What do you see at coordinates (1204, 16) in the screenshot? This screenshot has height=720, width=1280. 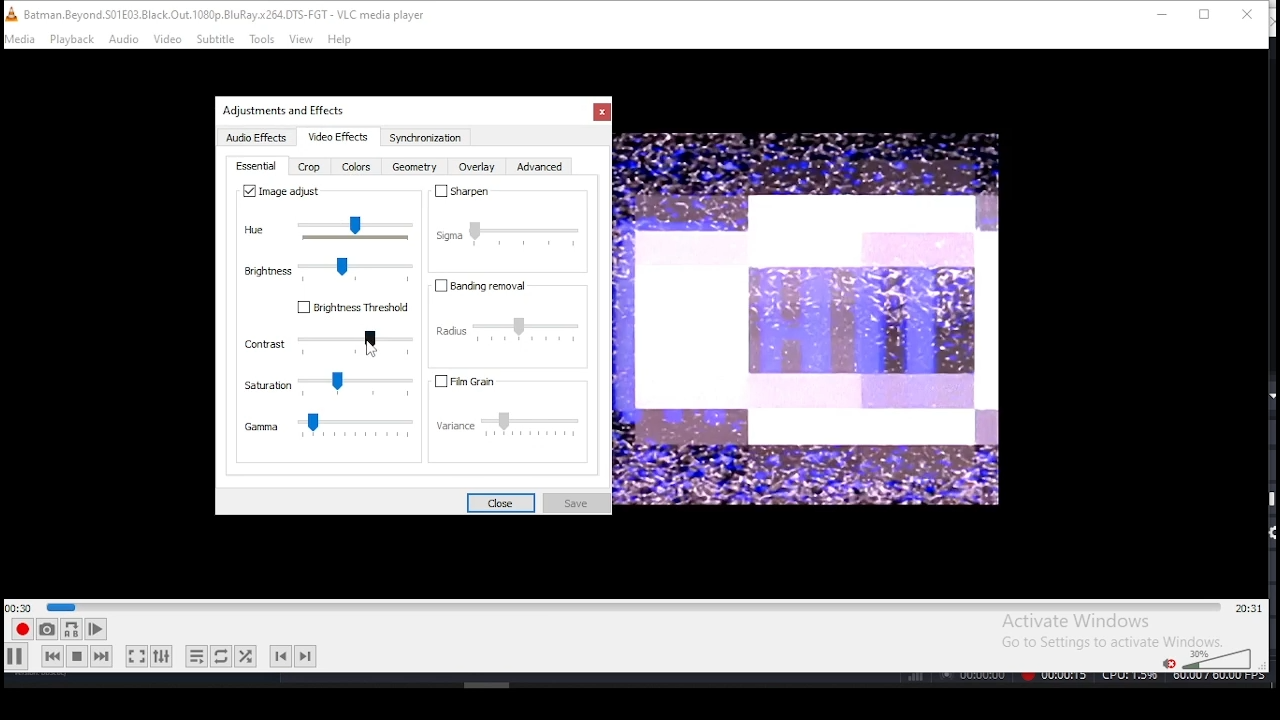 I see `restore` at bounding box center [1204, 16].